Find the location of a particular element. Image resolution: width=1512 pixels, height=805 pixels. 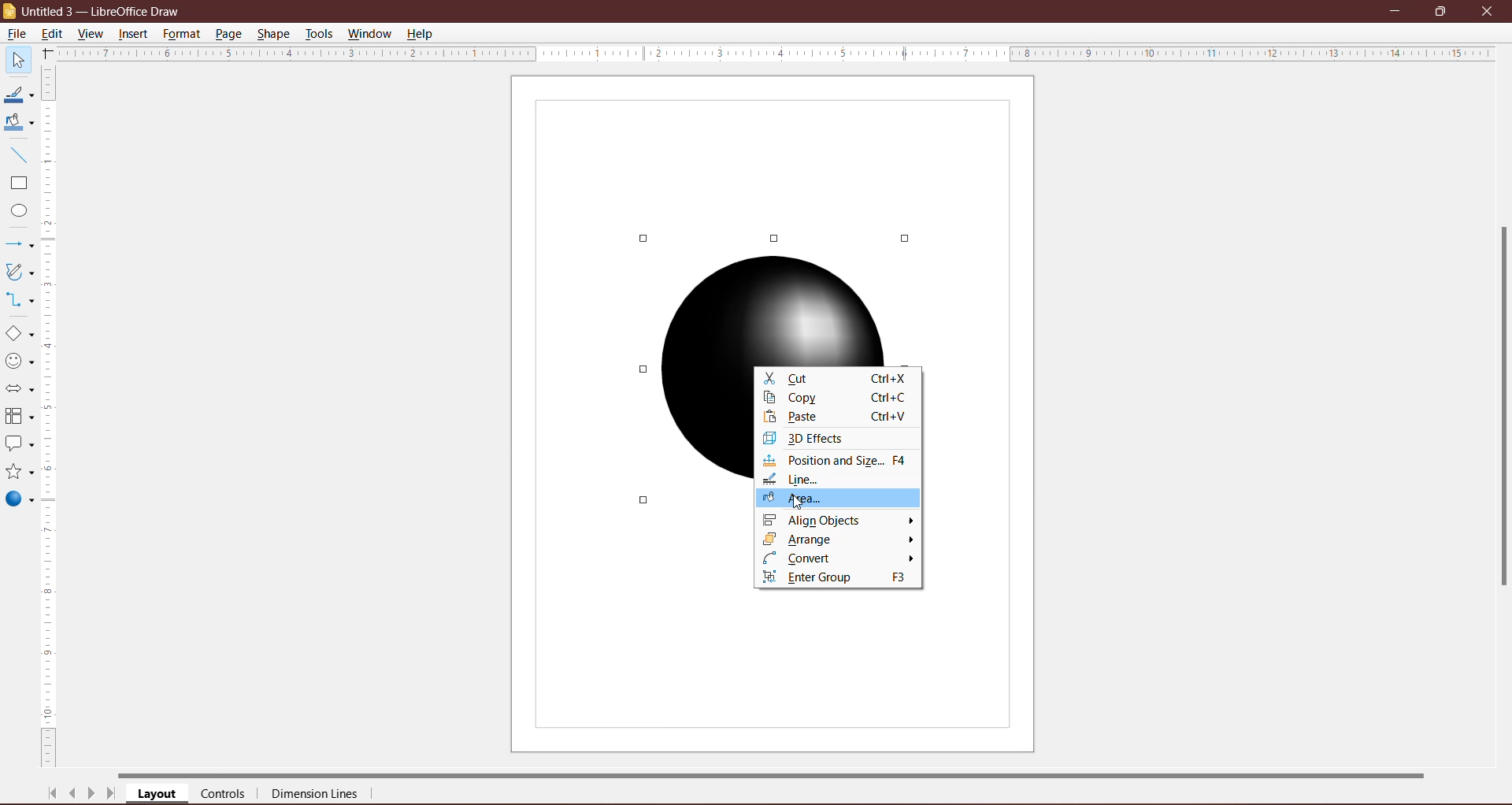

Diagram Title - Application Name is located at coordinates (106, 11).